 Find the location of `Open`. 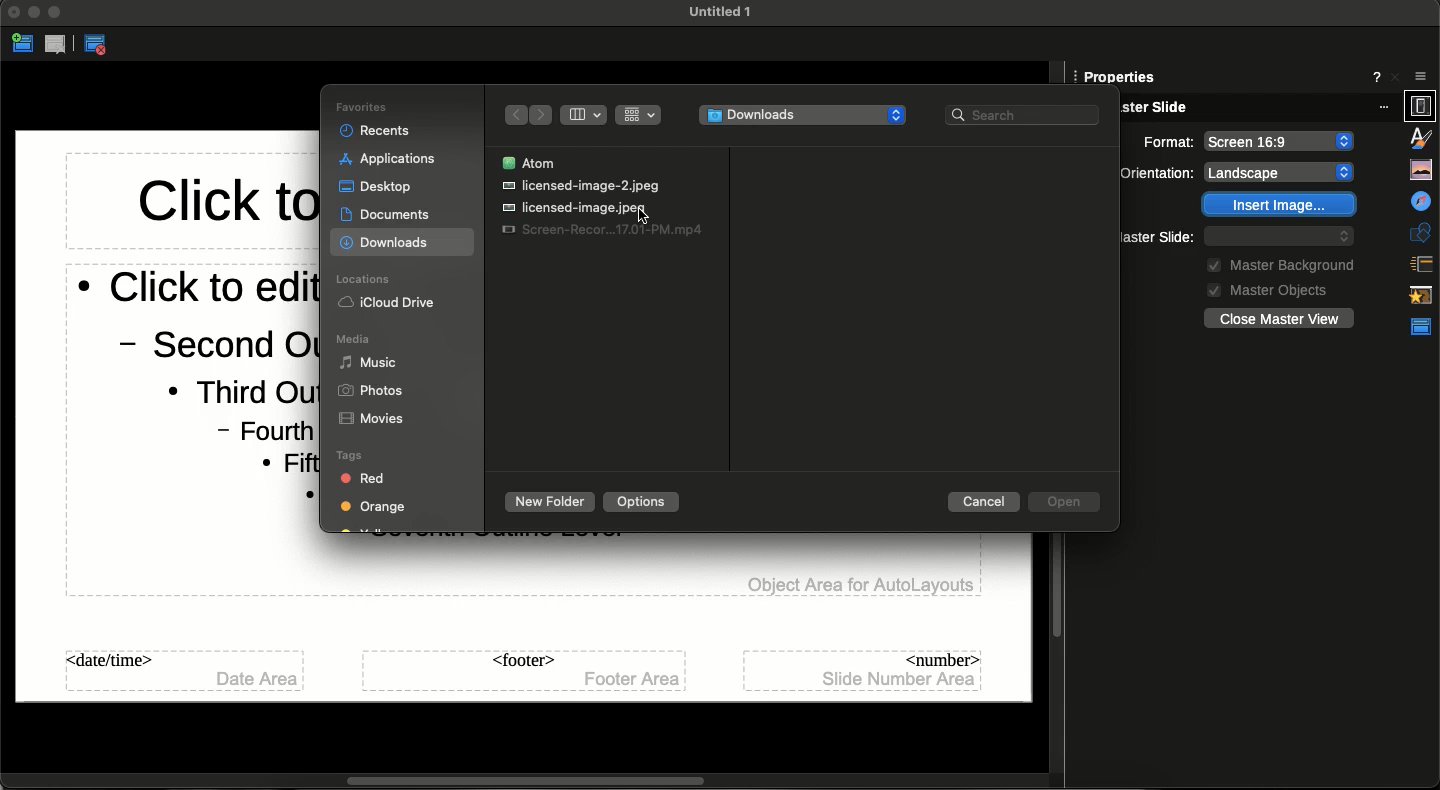

Open is located at coordinates (1061, 502).